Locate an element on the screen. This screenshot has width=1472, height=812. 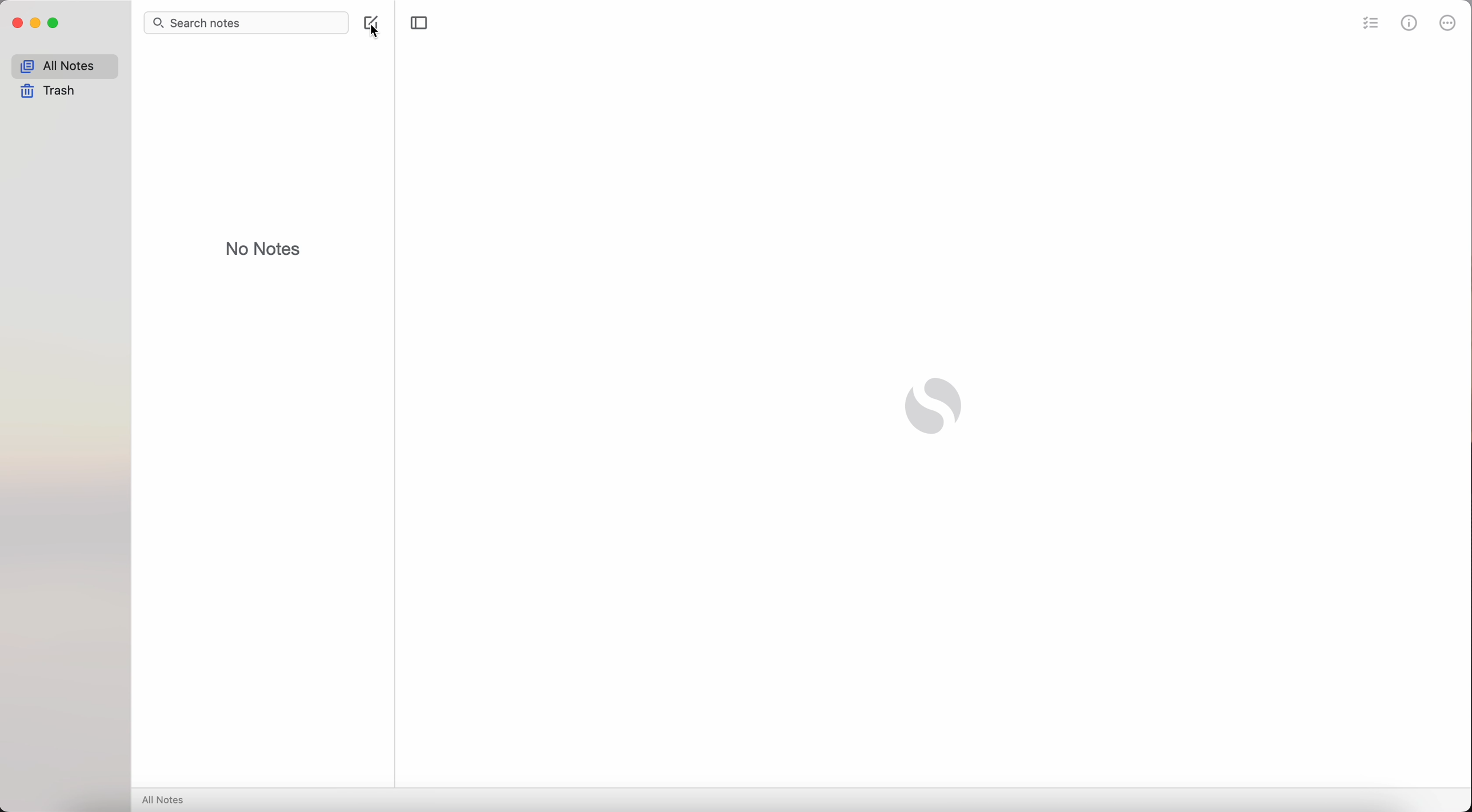
all notes is located at coordinates (65, 66).